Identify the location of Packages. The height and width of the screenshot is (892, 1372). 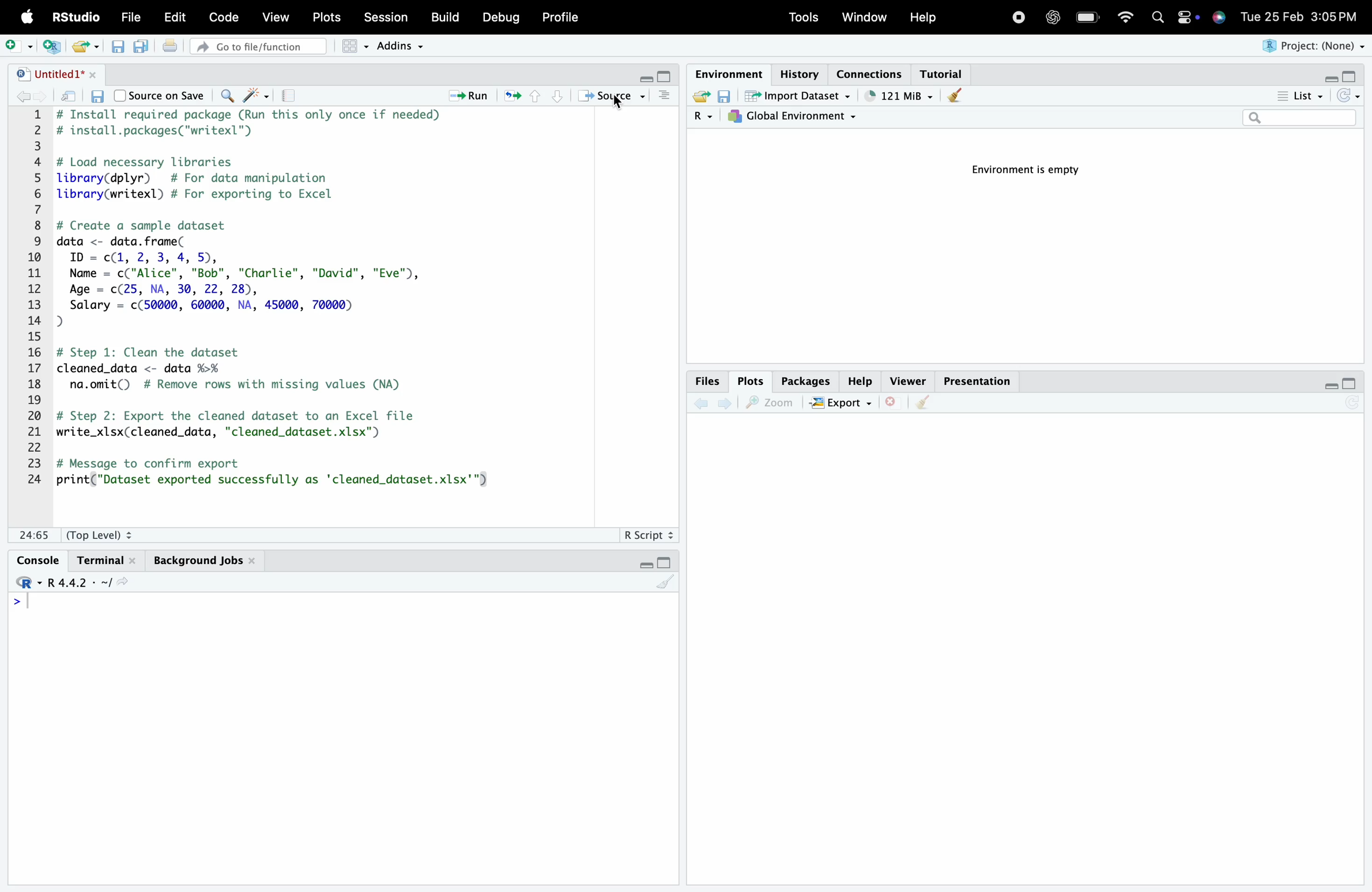
(806, 381).